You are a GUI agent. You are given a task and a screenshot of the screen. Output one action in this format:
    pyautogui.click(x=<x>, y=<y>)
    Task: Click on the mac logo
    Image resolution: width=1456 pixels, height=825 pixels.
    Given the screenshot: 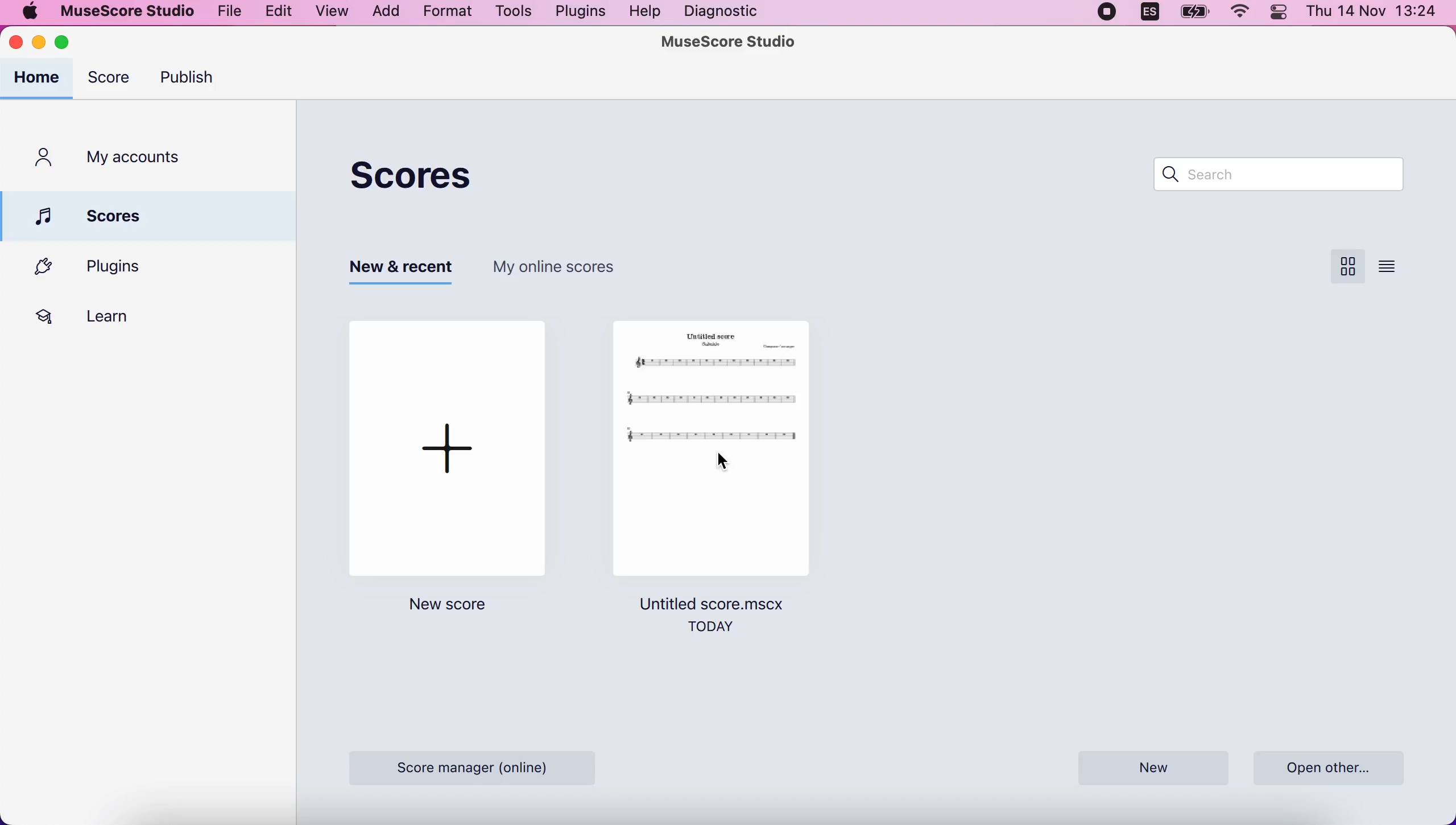 What is the action you would take?
    pyautogui.click(x=29, y=13)
    